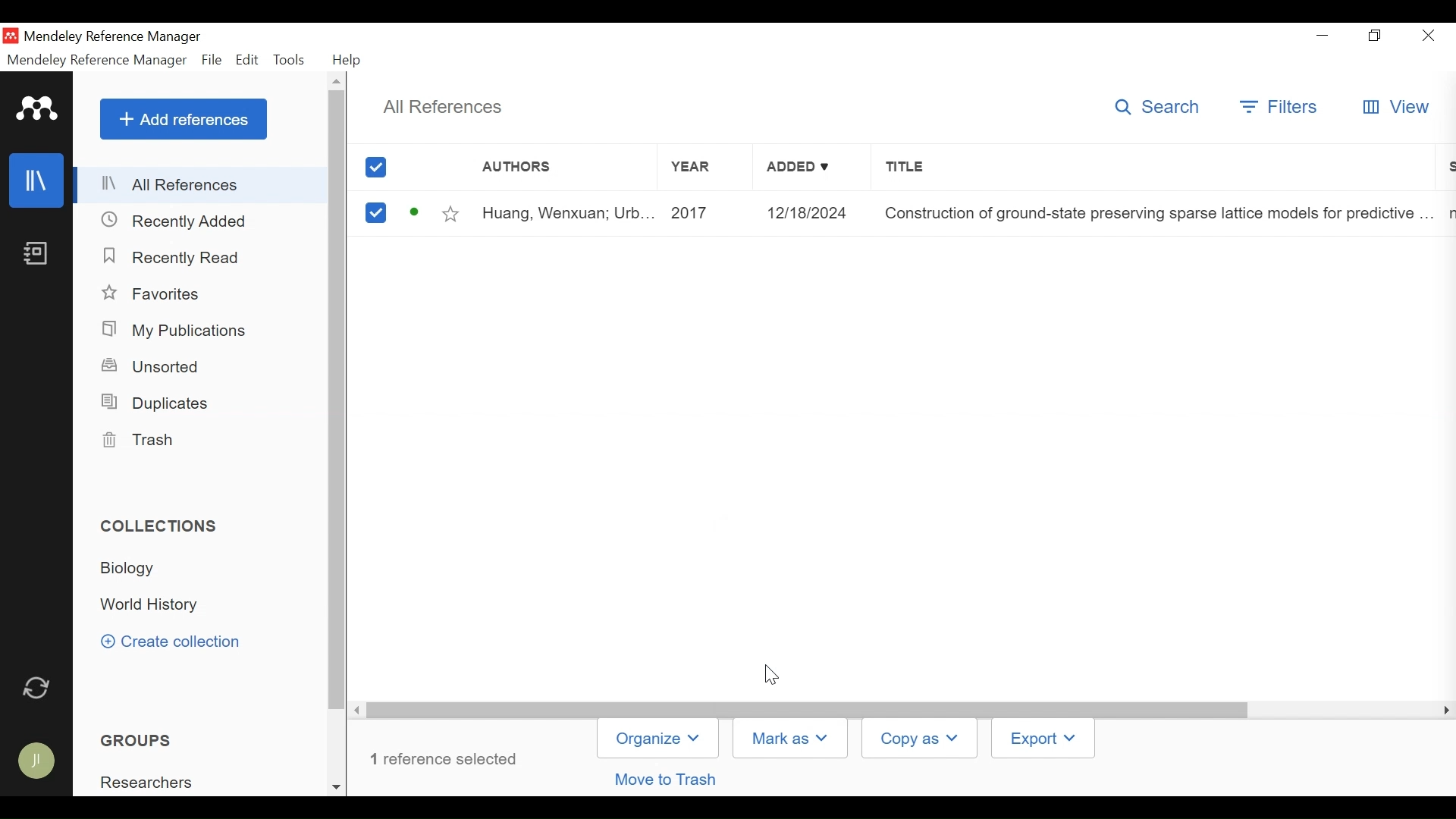 Image resolution: width=1456 pixels, height=819 pixels. Describe the element at coordinates (670, 780) in the screenshot. I see `Move to trash` at that location.